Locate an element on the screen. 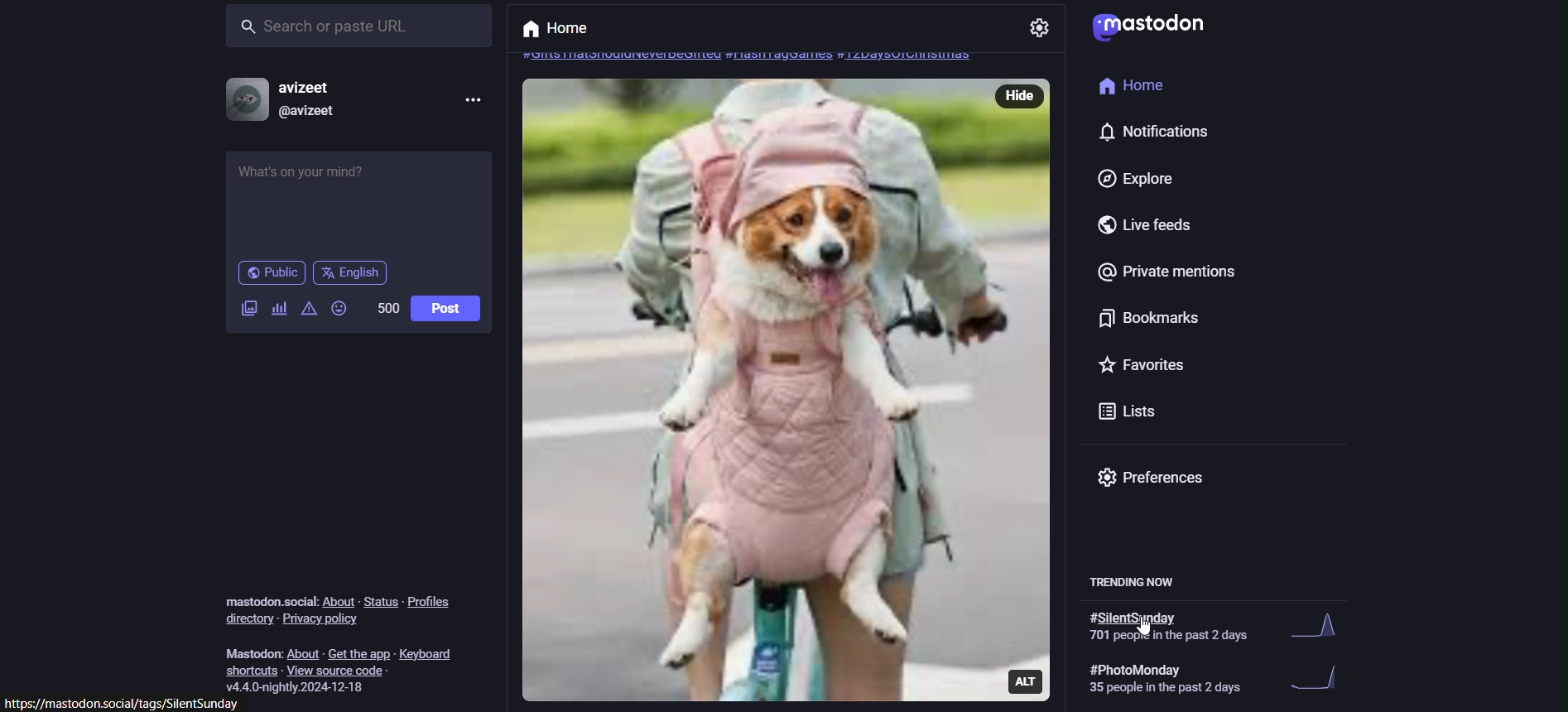 The width and height of the screenshot is (1568, 712). view source code is located at coordinates (349, 671).